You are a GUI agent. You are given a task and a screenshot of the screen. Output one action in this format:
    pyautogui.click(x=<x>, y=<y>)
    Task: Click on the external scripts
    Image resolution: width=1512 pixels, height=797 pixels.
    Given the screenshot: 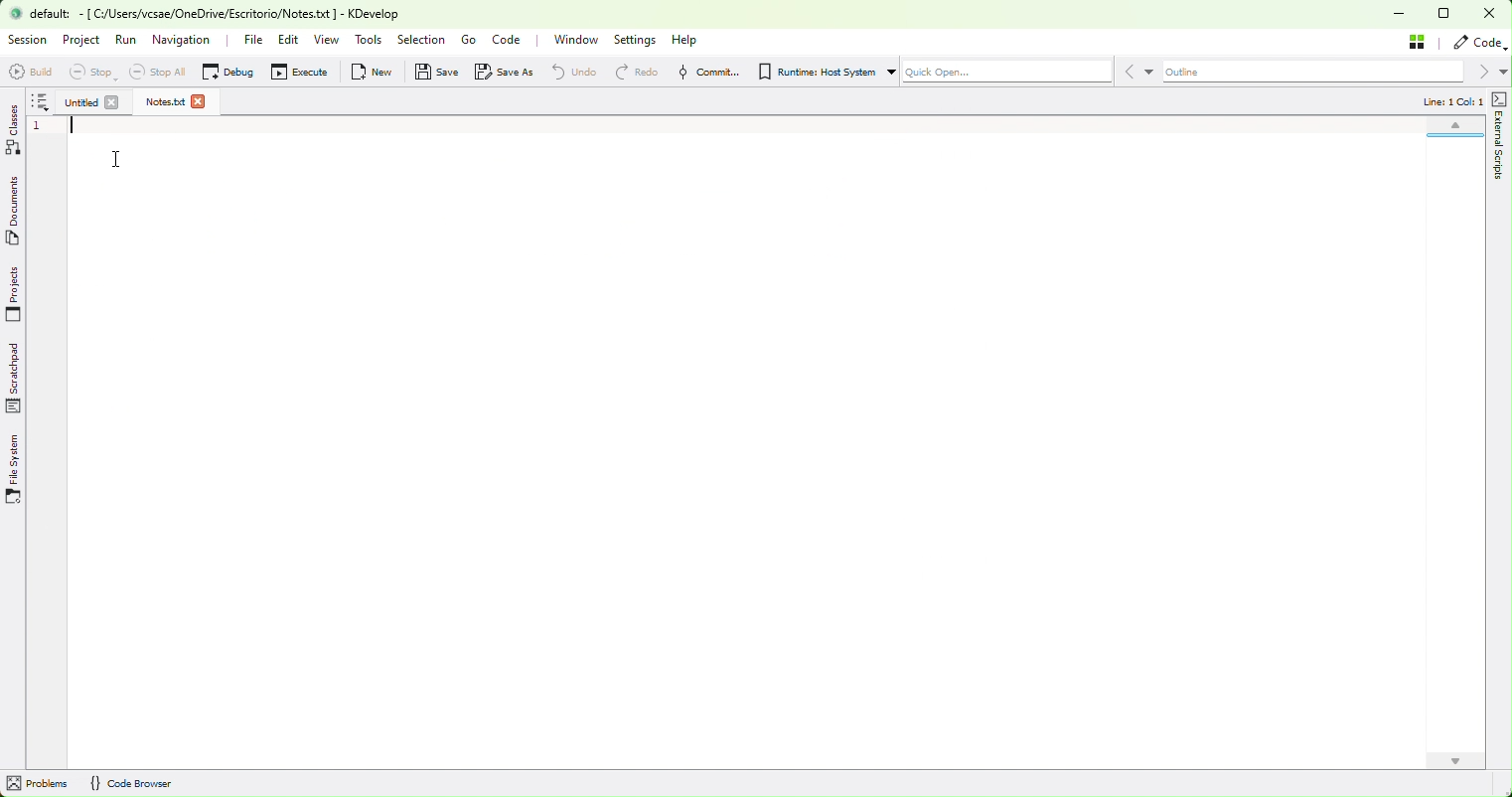 What is the action you would take?
    pyautogui.click(x=1497, y=137)
    